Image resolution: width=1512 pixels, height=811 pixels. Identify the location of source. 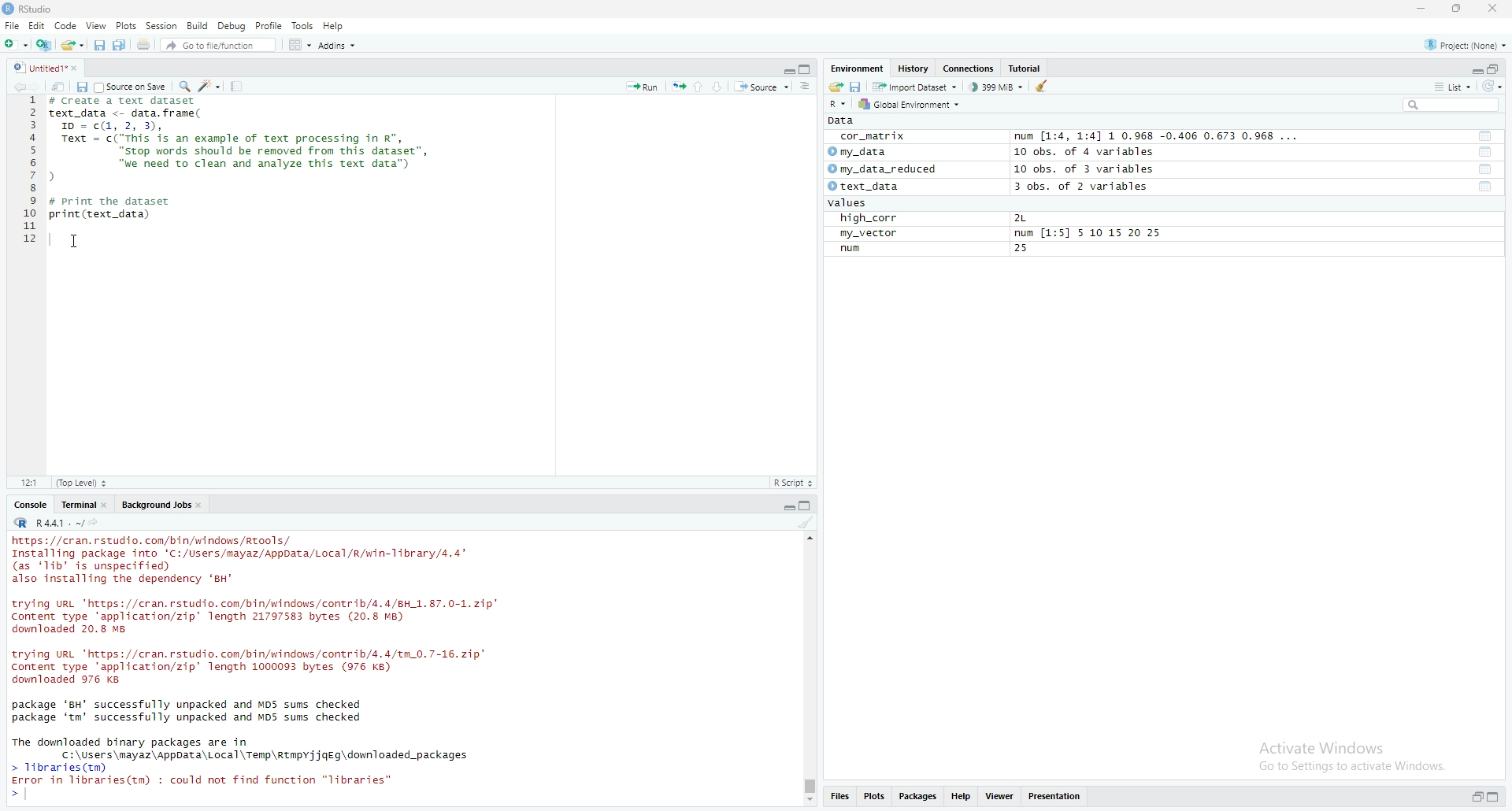
(762, 87).